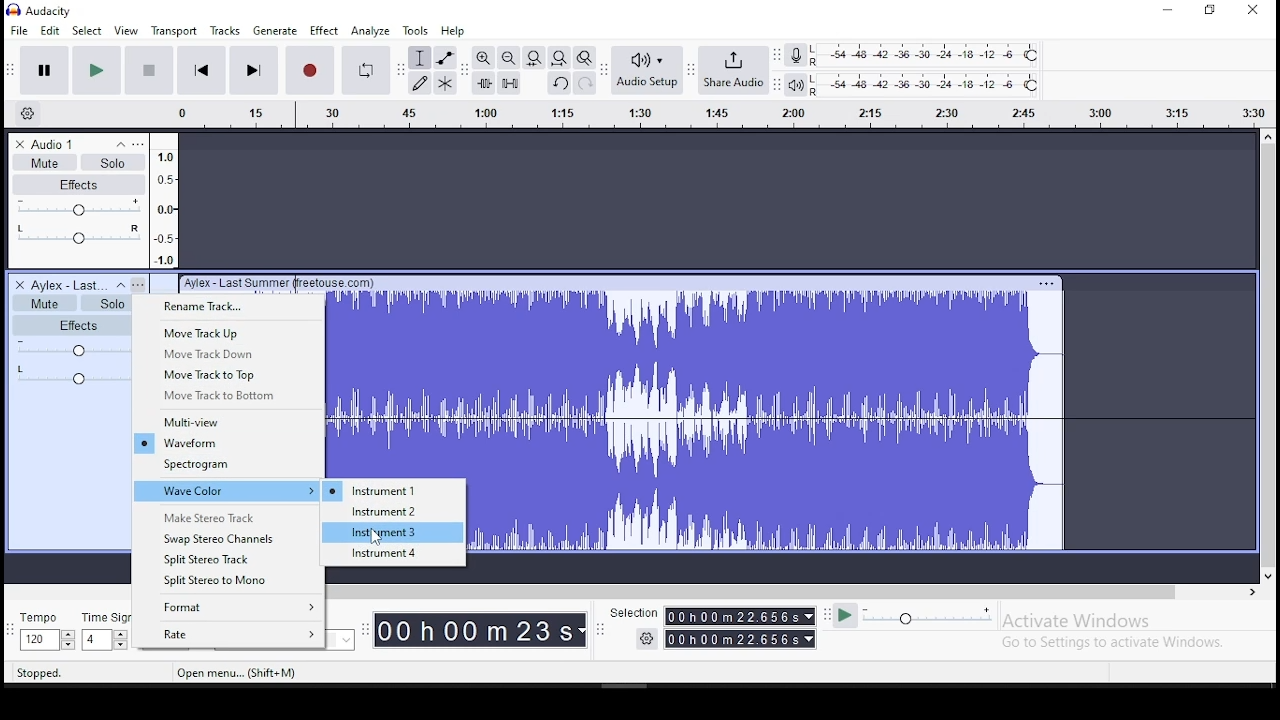  I want to click on make stereo track, so click(227, 515).